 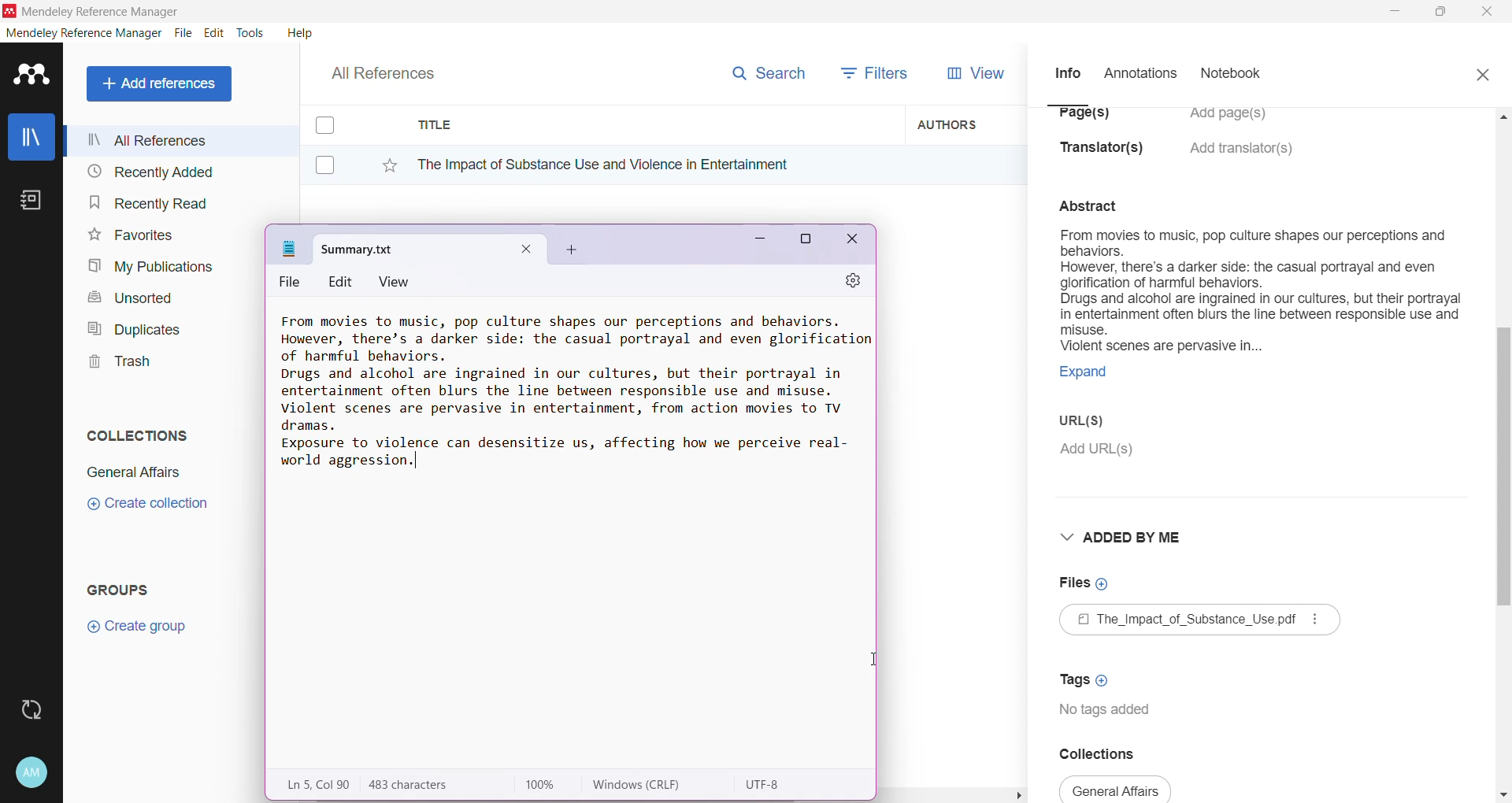 What do you see at coordinates (133, 432) in the screenshot?
I see `Collections` at bounding box center [133, 432].